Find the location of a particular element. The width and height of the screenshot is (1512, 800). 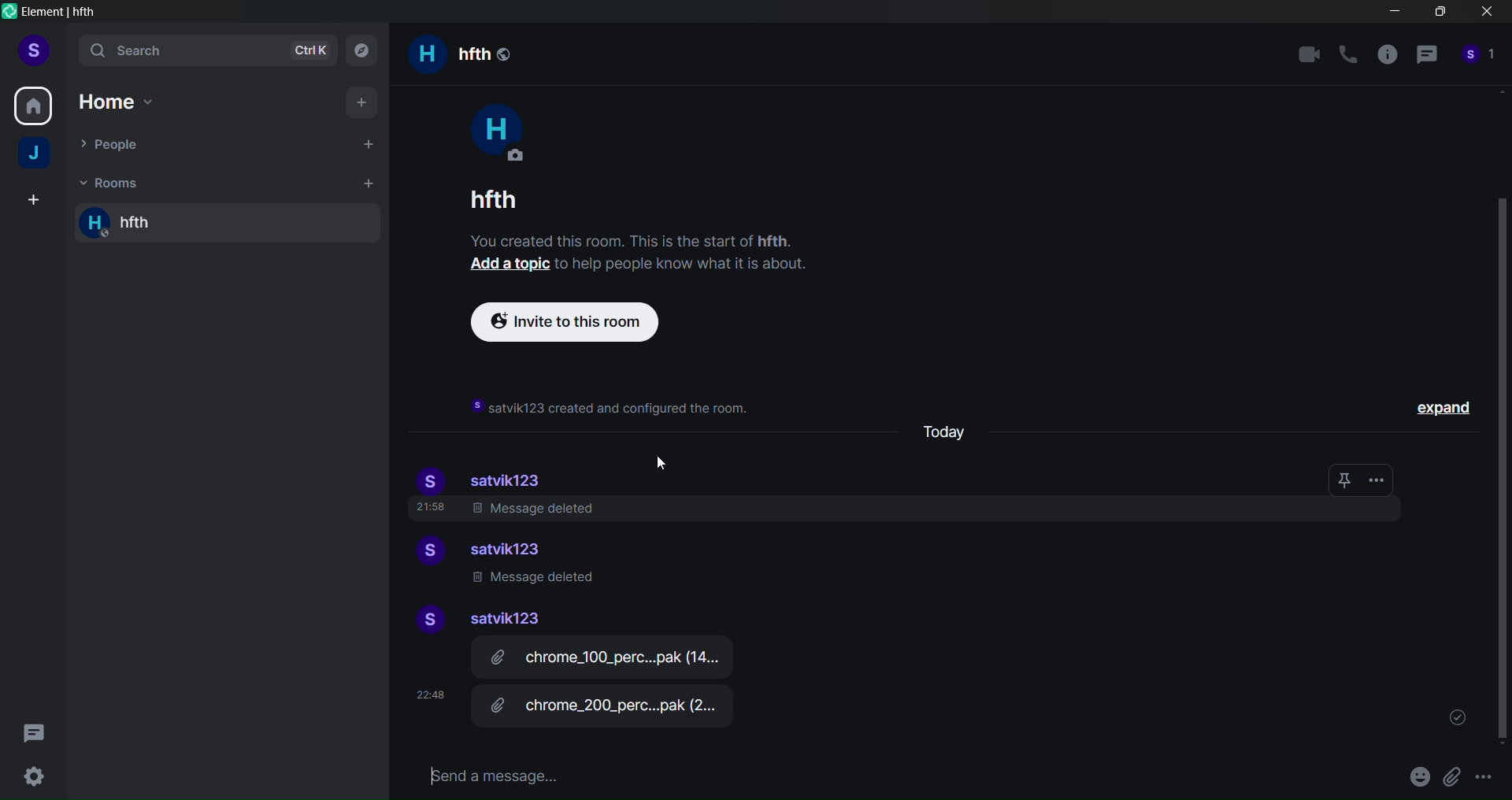

Cursor is located at coordinates (656, 465).